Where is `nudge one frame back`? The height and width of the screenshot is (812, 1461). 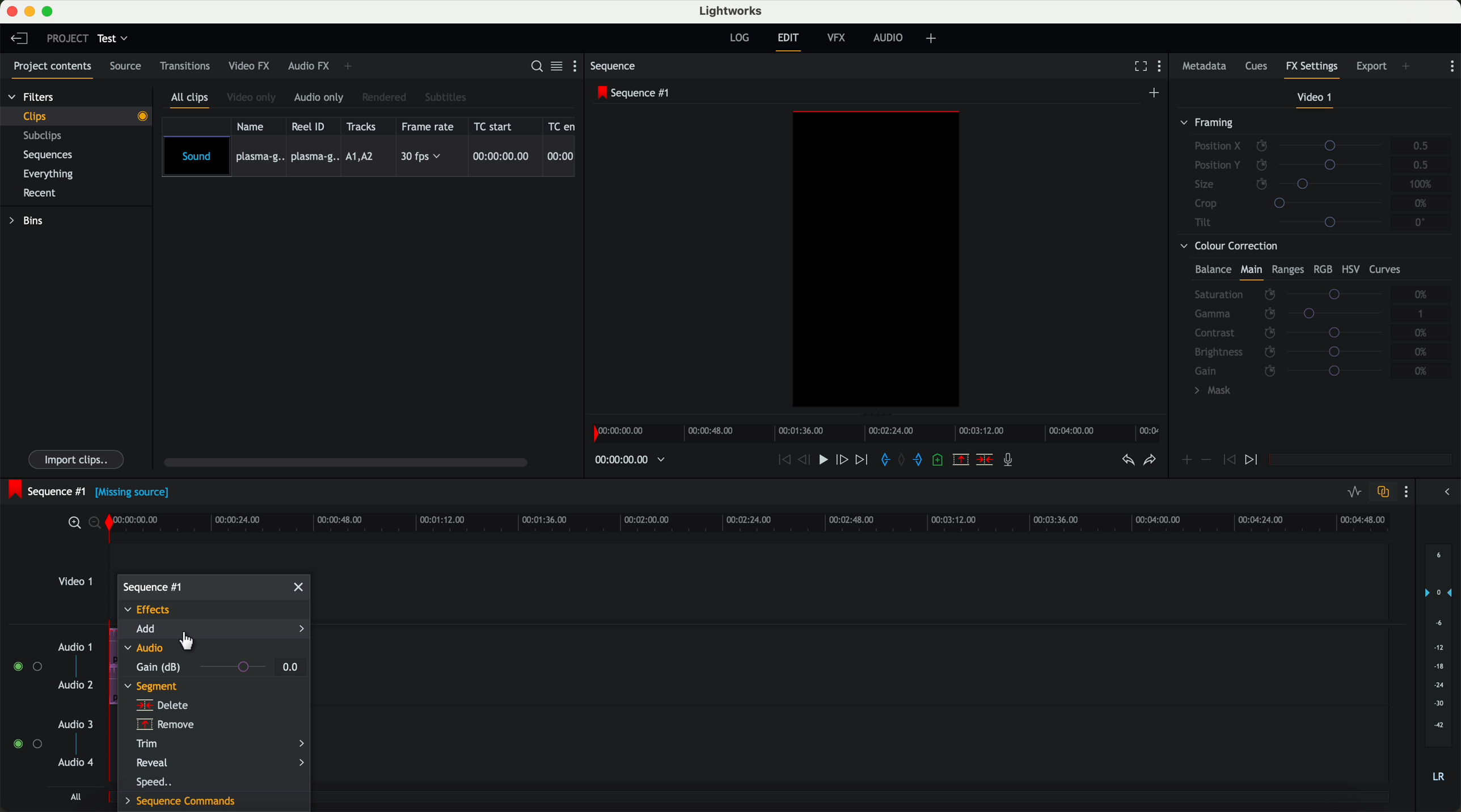
nudge one frame back is located at coordinates (807, 460).